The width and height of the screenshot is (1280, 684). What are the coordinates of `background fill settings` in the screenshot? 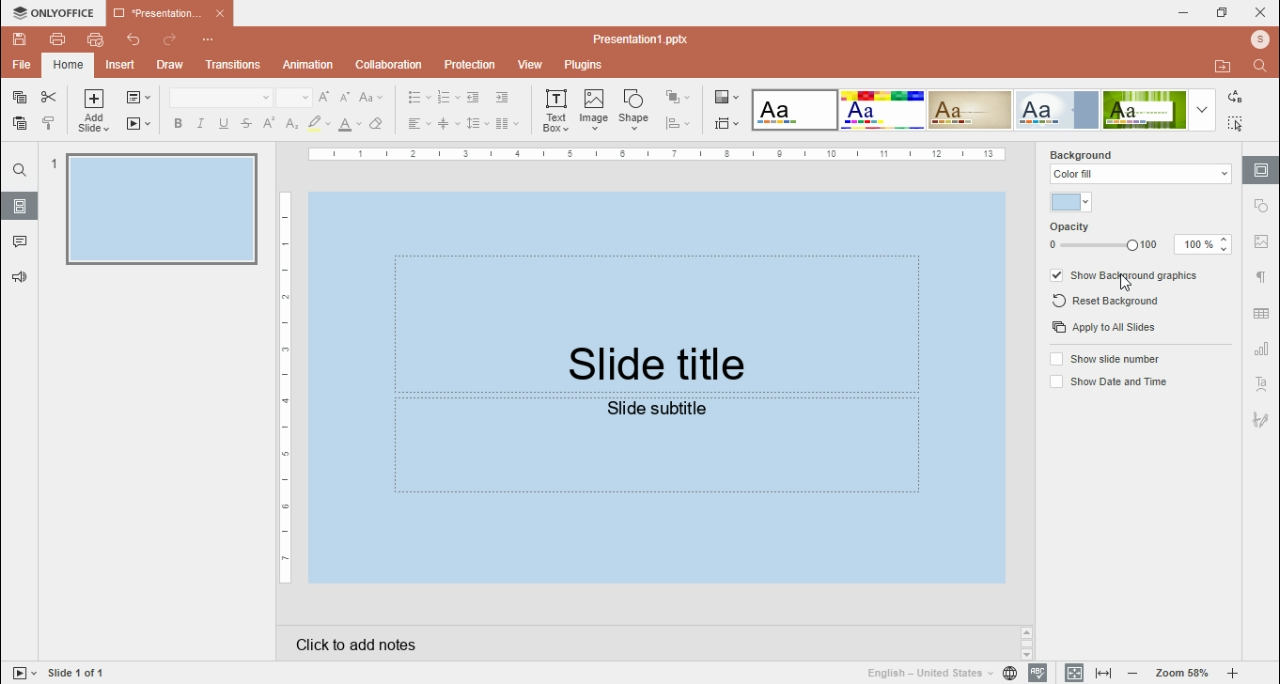 It's located at (1136, 174).